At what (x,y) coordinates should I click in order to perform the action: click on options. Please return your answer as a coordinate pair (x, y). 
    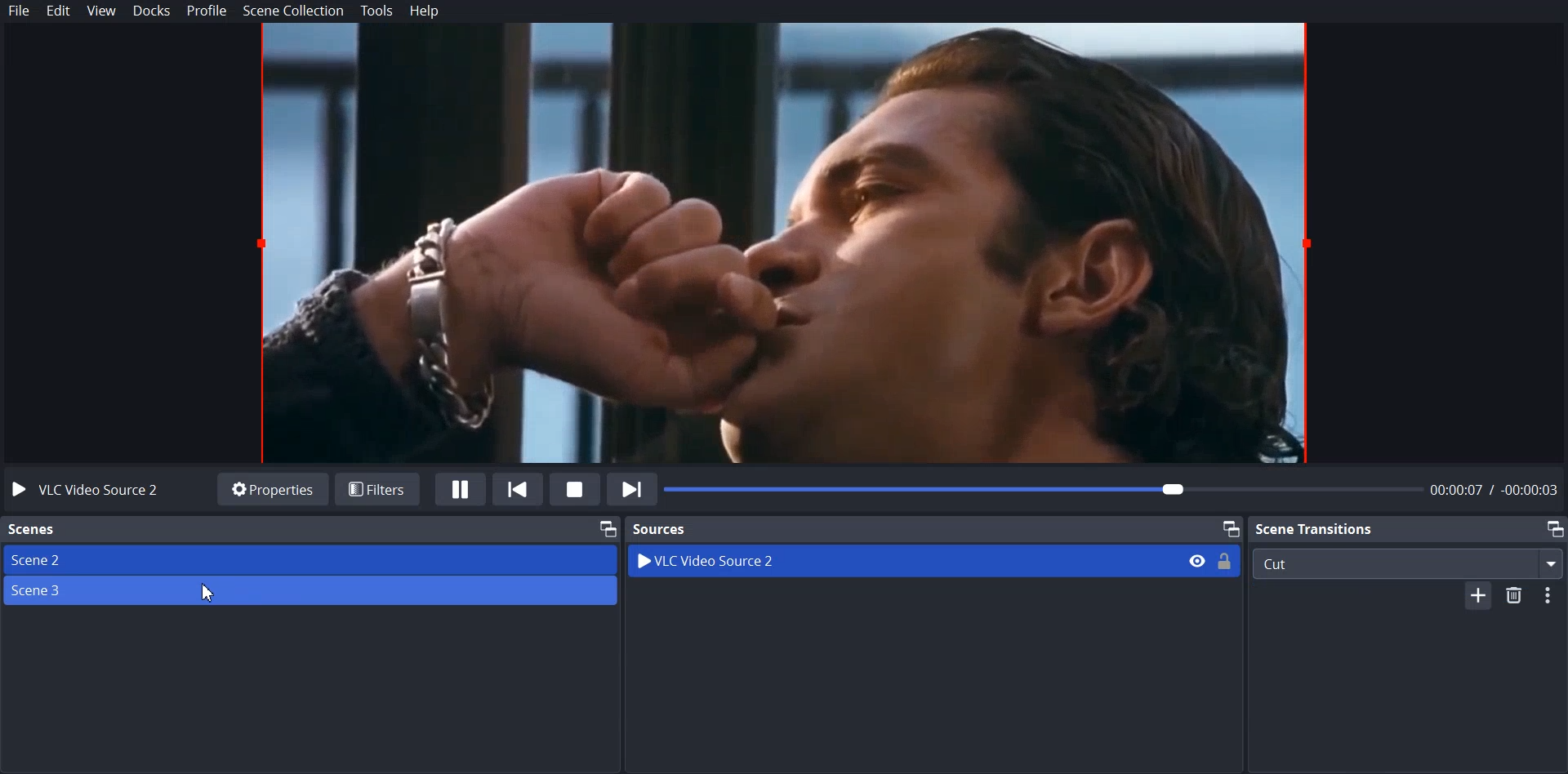
    Looking at the image, I should click on (1553, 594).